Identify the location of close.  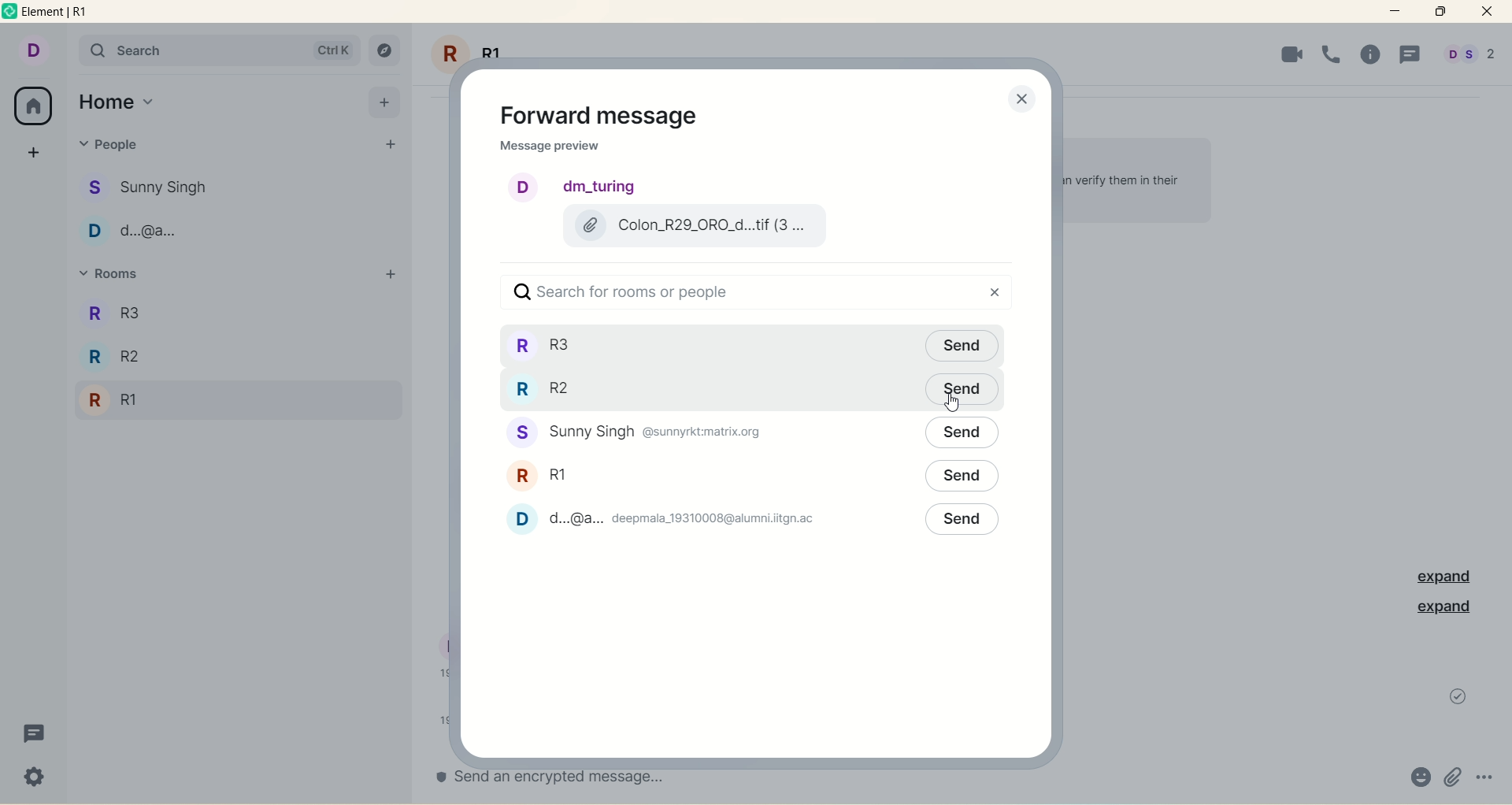
(1017, 99).